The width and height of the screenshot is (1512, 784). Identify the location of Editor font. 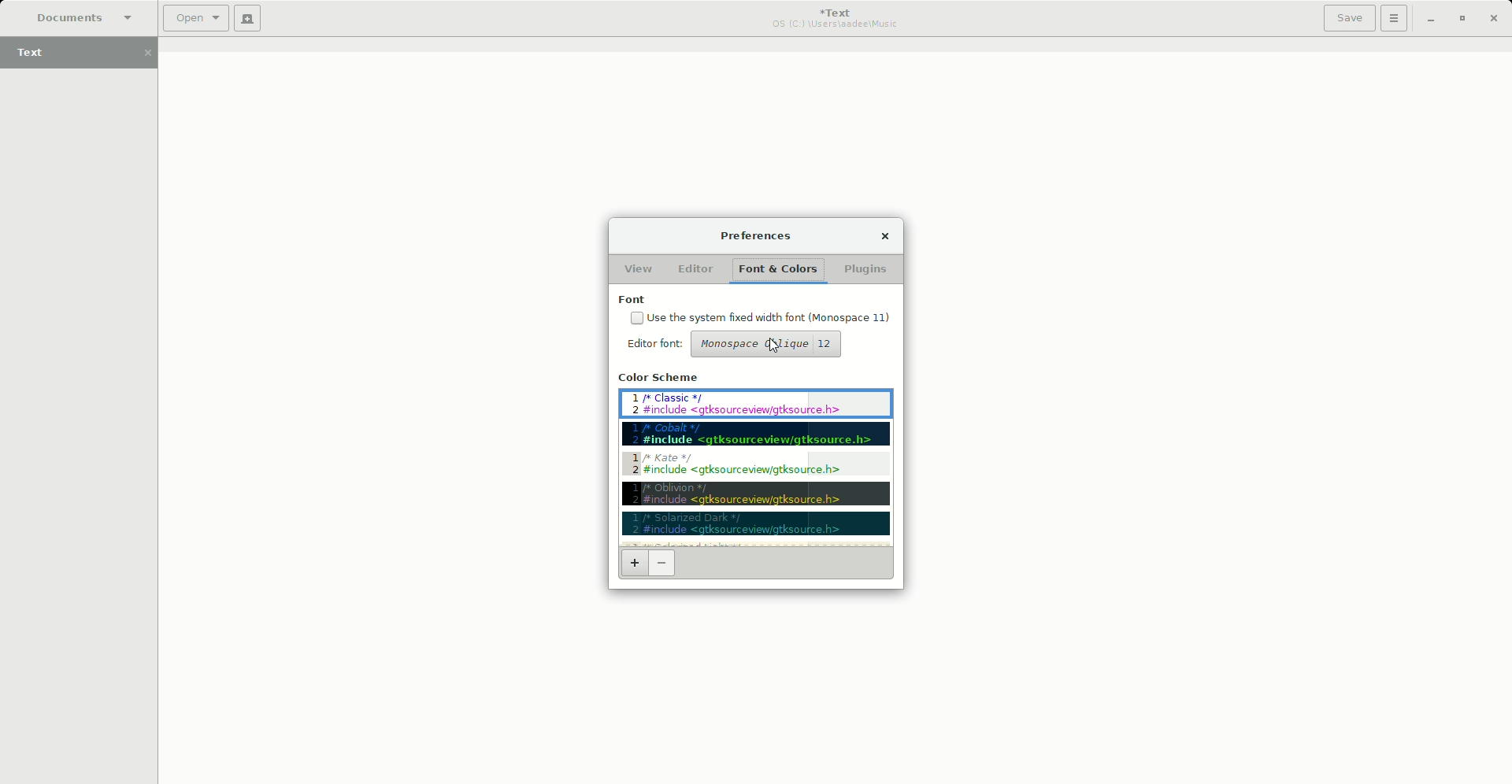
(658, 346).